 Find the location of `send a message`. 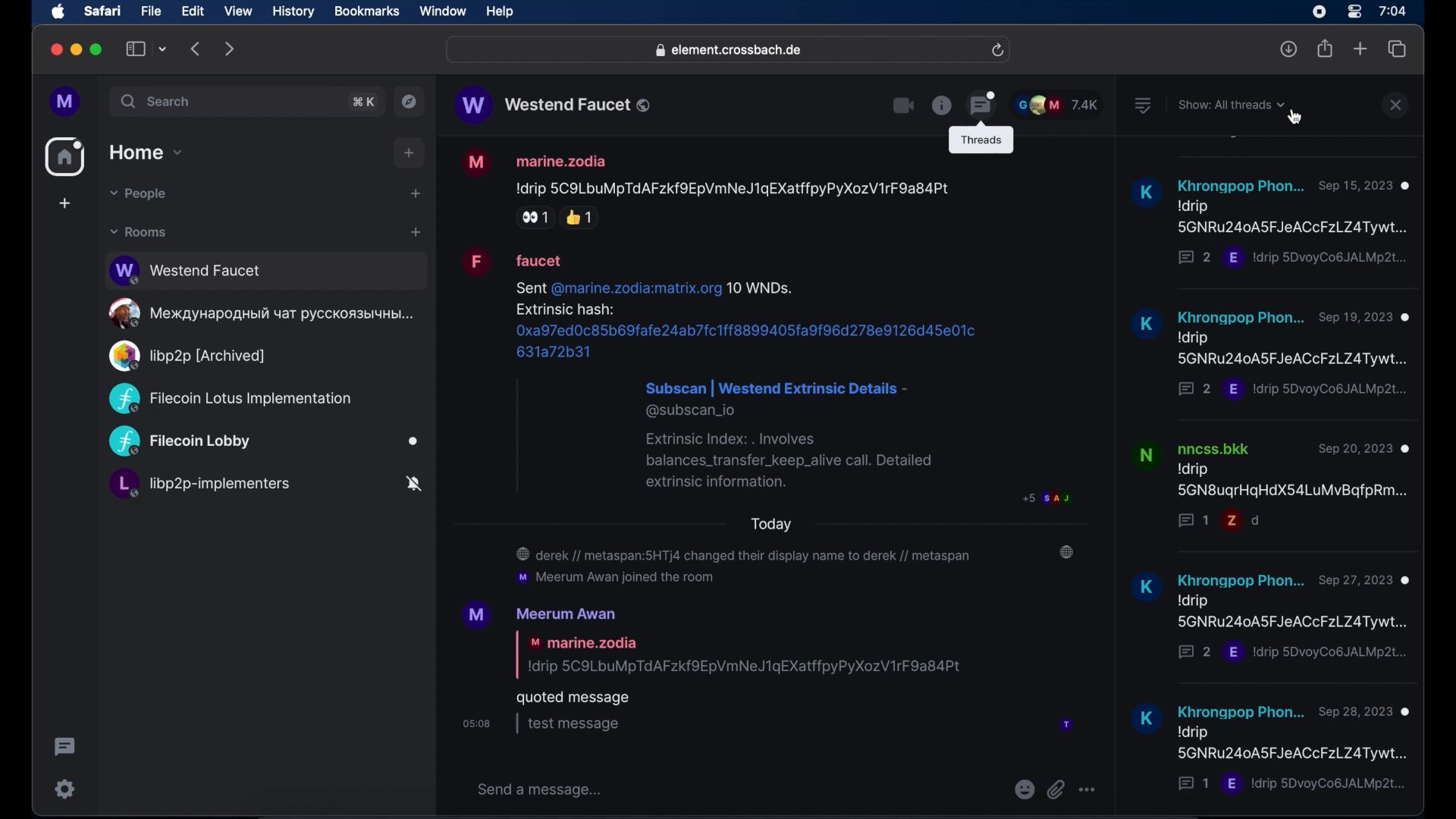

send a message is located at coordinates (542, 792).